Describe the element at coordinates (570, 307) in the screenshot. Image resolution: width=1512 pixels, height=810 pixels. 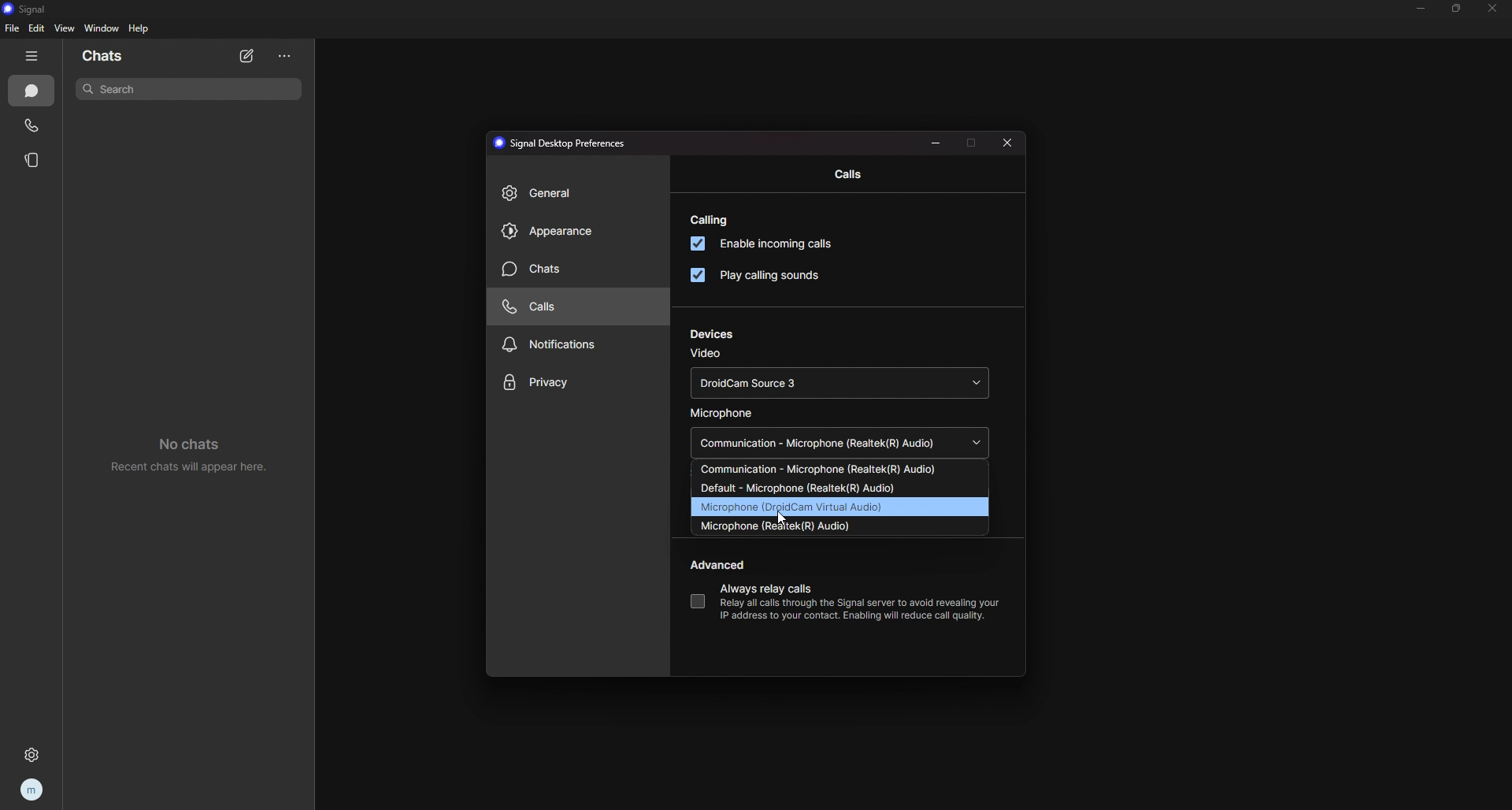
I see `calls` at that location.